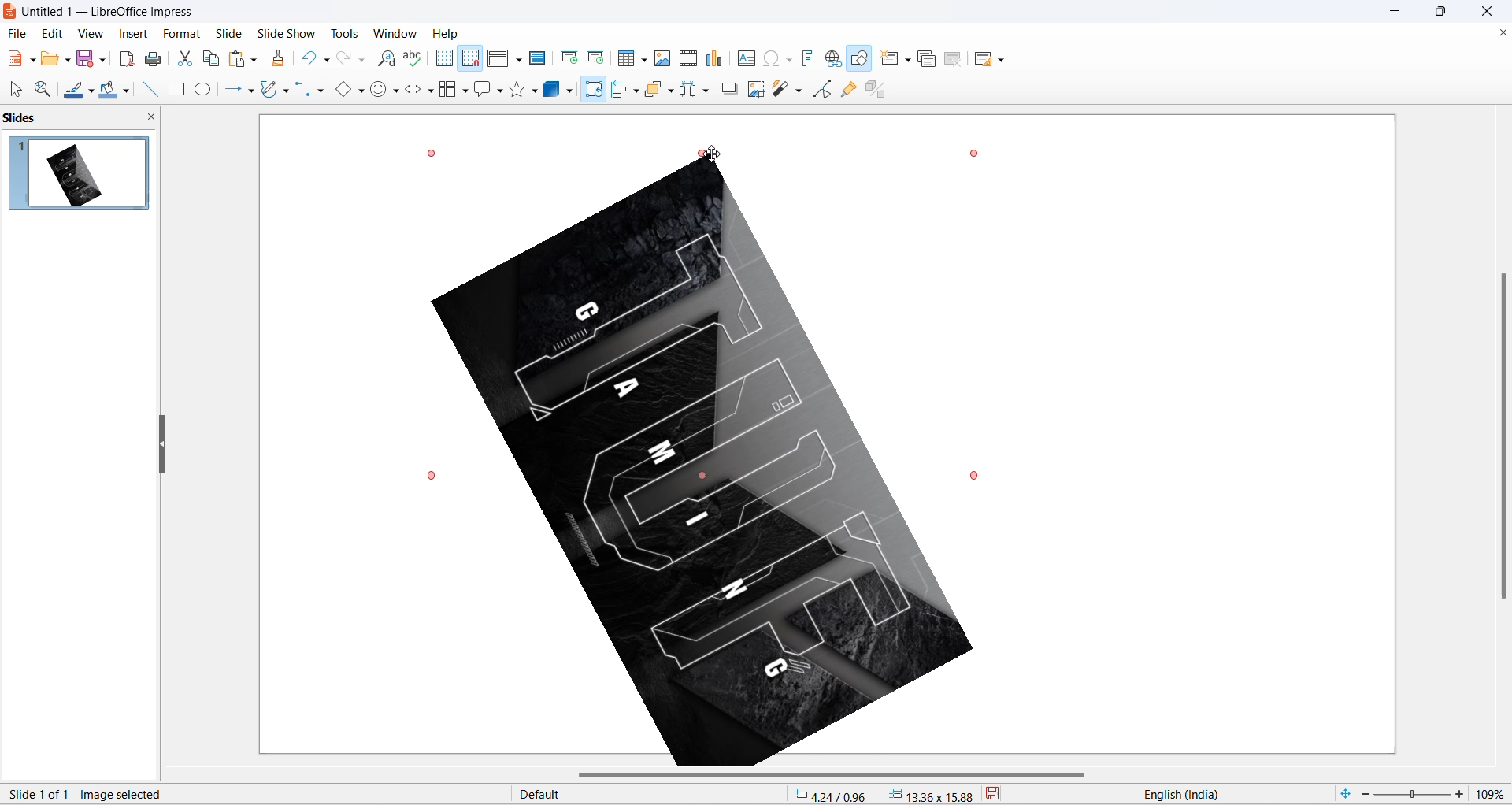  Describe the element at coordinates (126, 57) in the screenshot. I see `export as pdf` at that location.